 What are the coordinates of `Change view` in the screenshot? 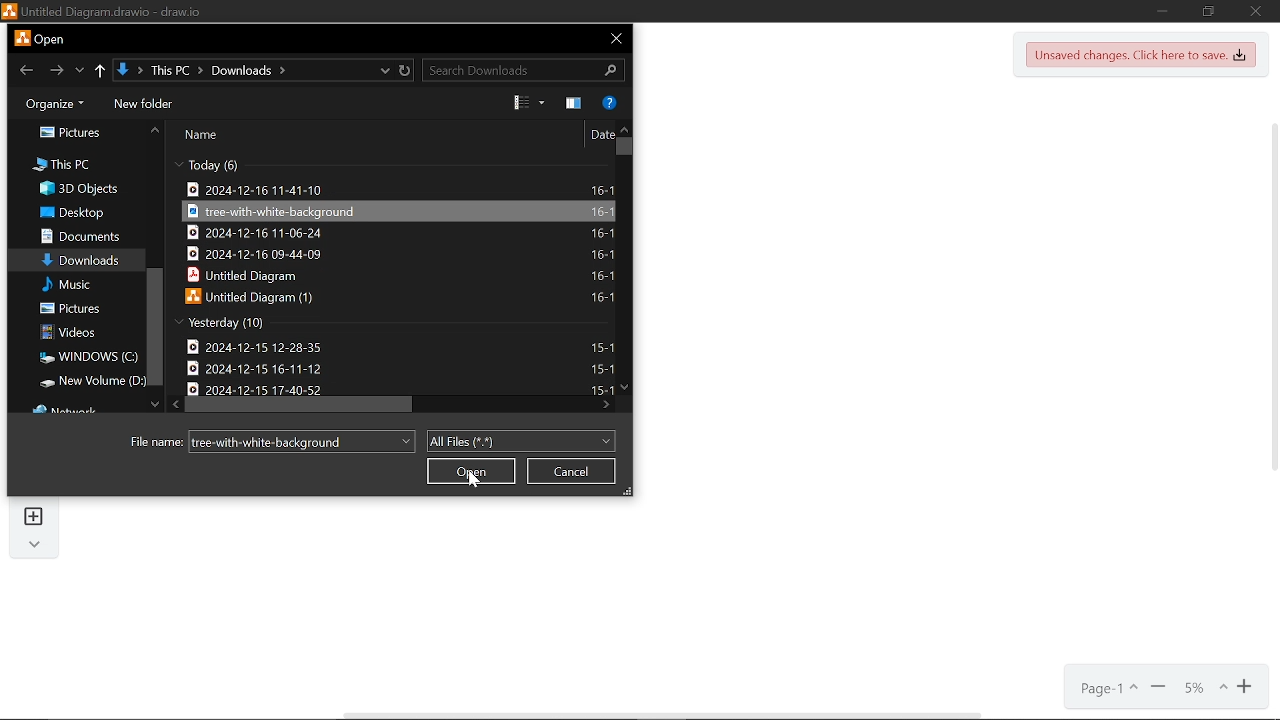 It's located at (533, 103).